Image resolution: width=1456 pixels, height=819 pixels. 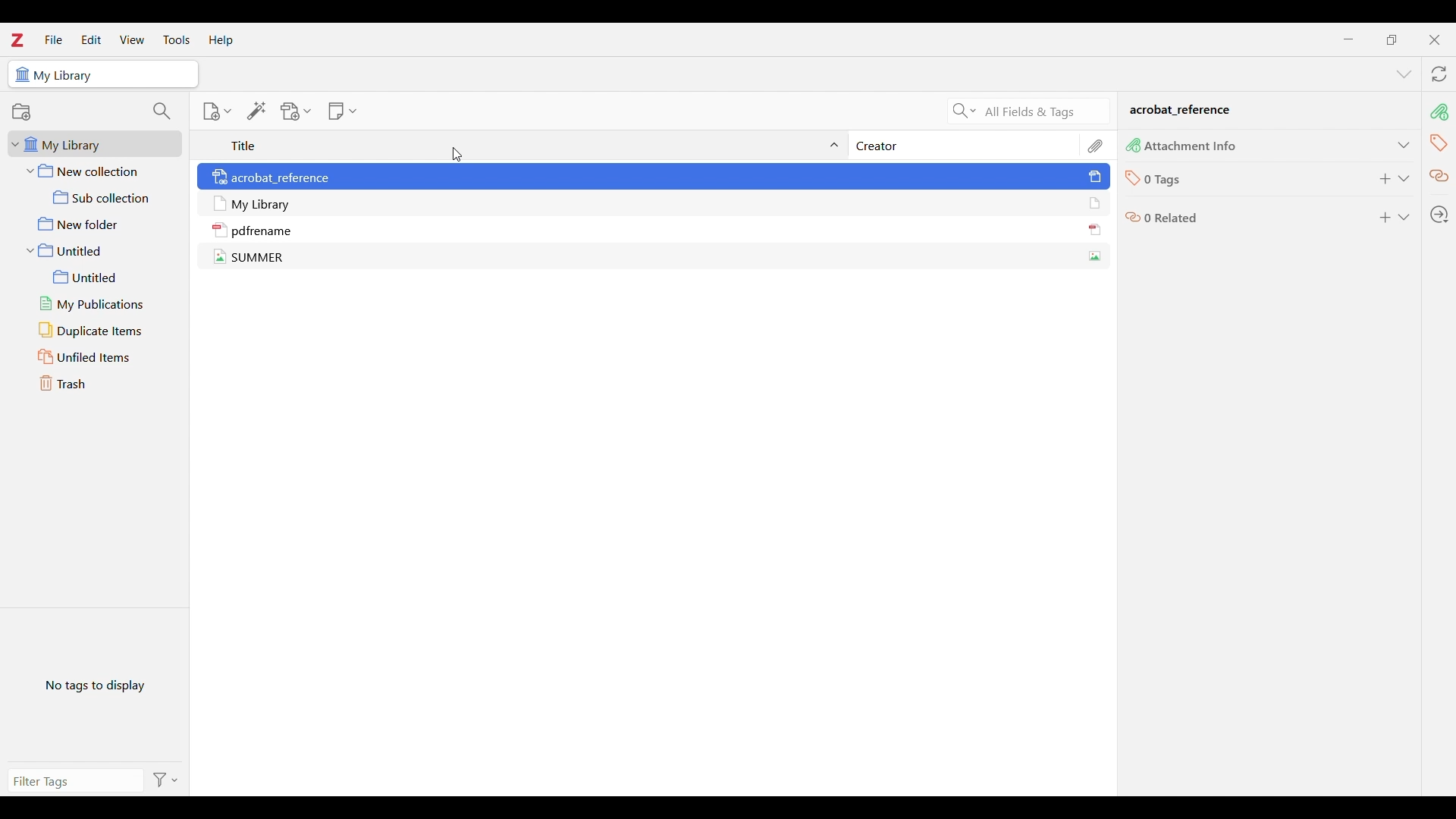 What do you see at coordinates (1043, 112) in the screenshot?
I see `Selected search criteria` at bounding box center [1043, 112].